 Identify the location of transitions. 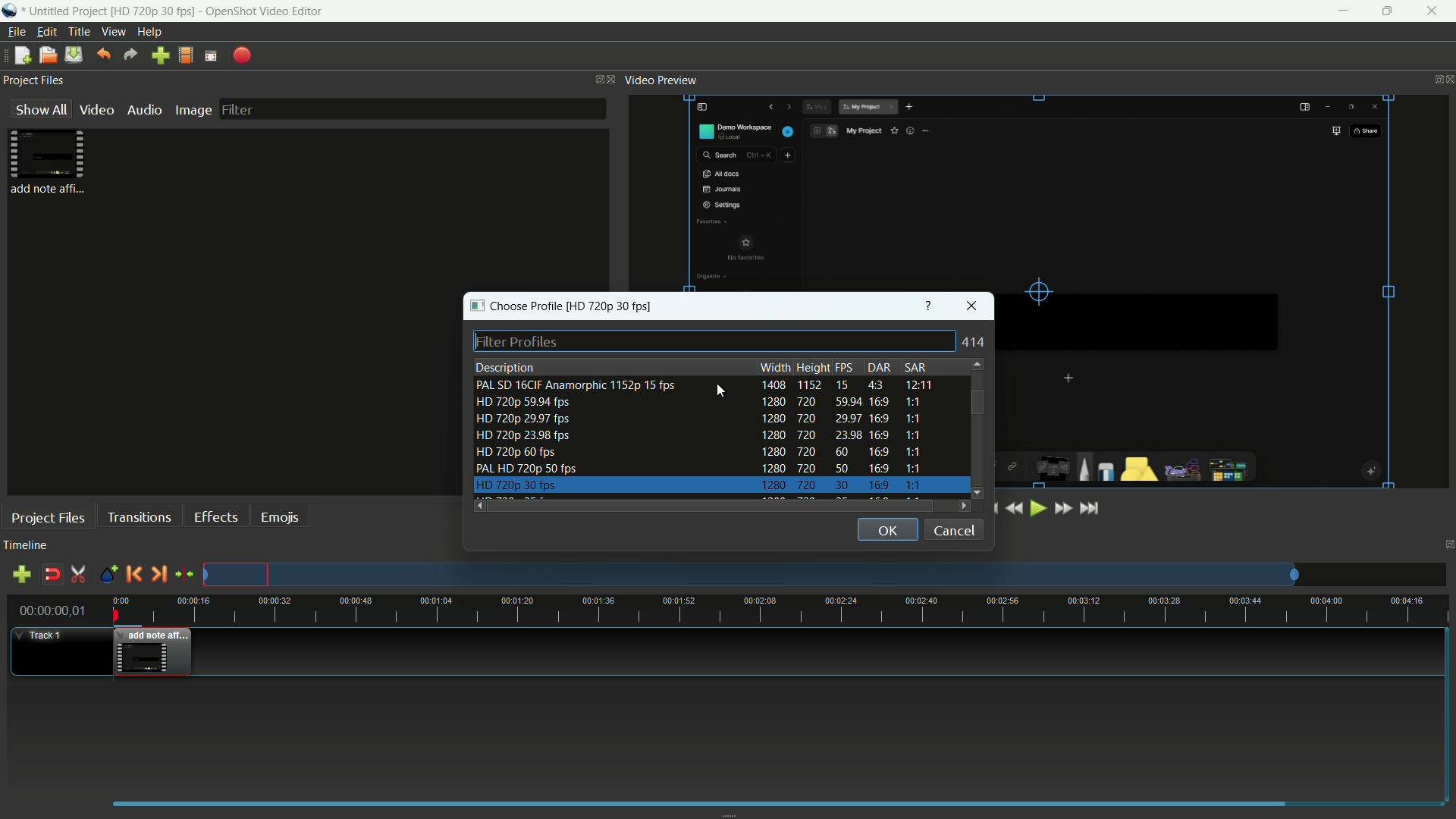
(138, 518).